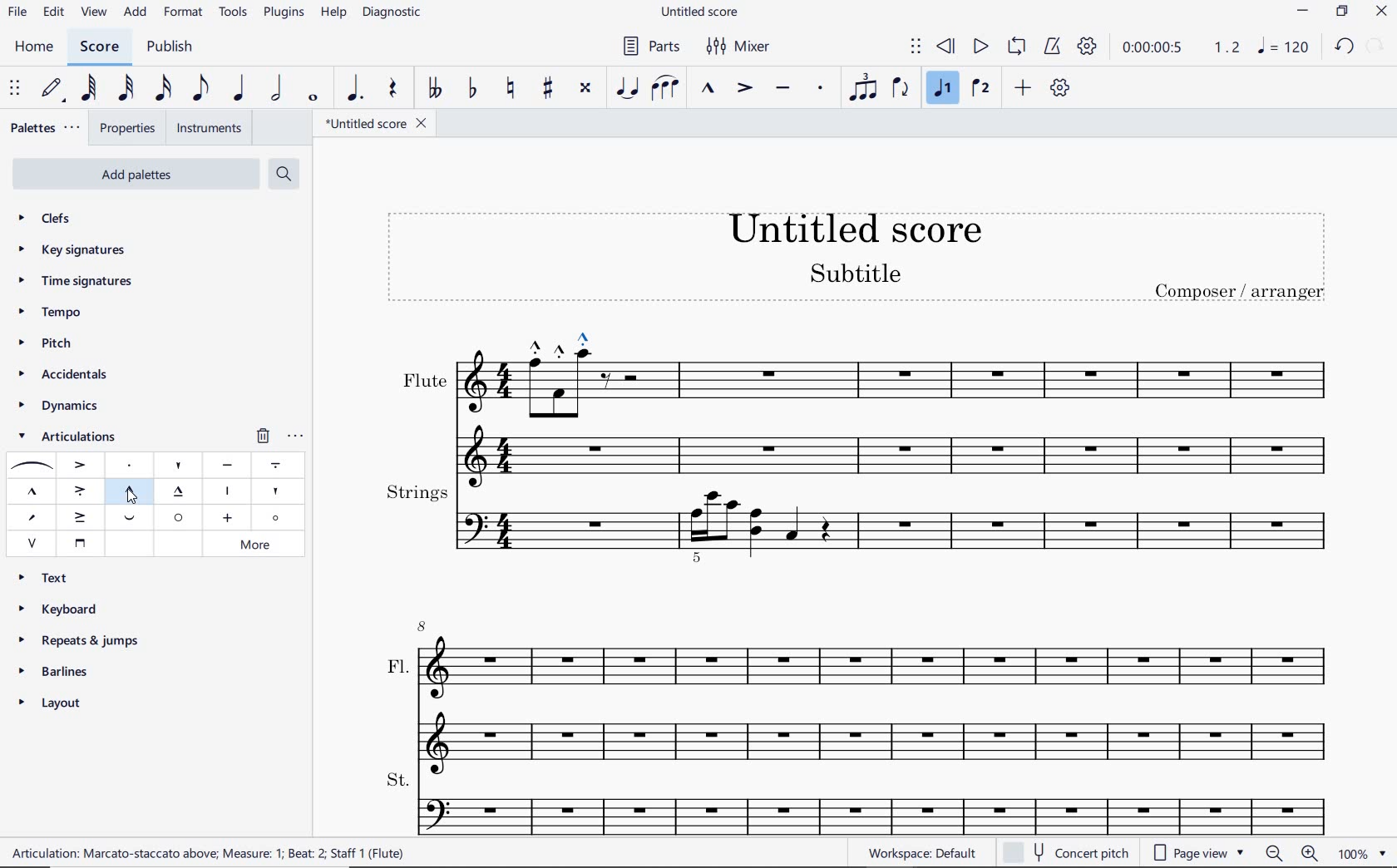 Image resolution: width=1397 pixels, height=868 pixels. What do you see at coordinates (29, 466) in the screenshot?
I see `SLUR` at bounding box center [29, 466].